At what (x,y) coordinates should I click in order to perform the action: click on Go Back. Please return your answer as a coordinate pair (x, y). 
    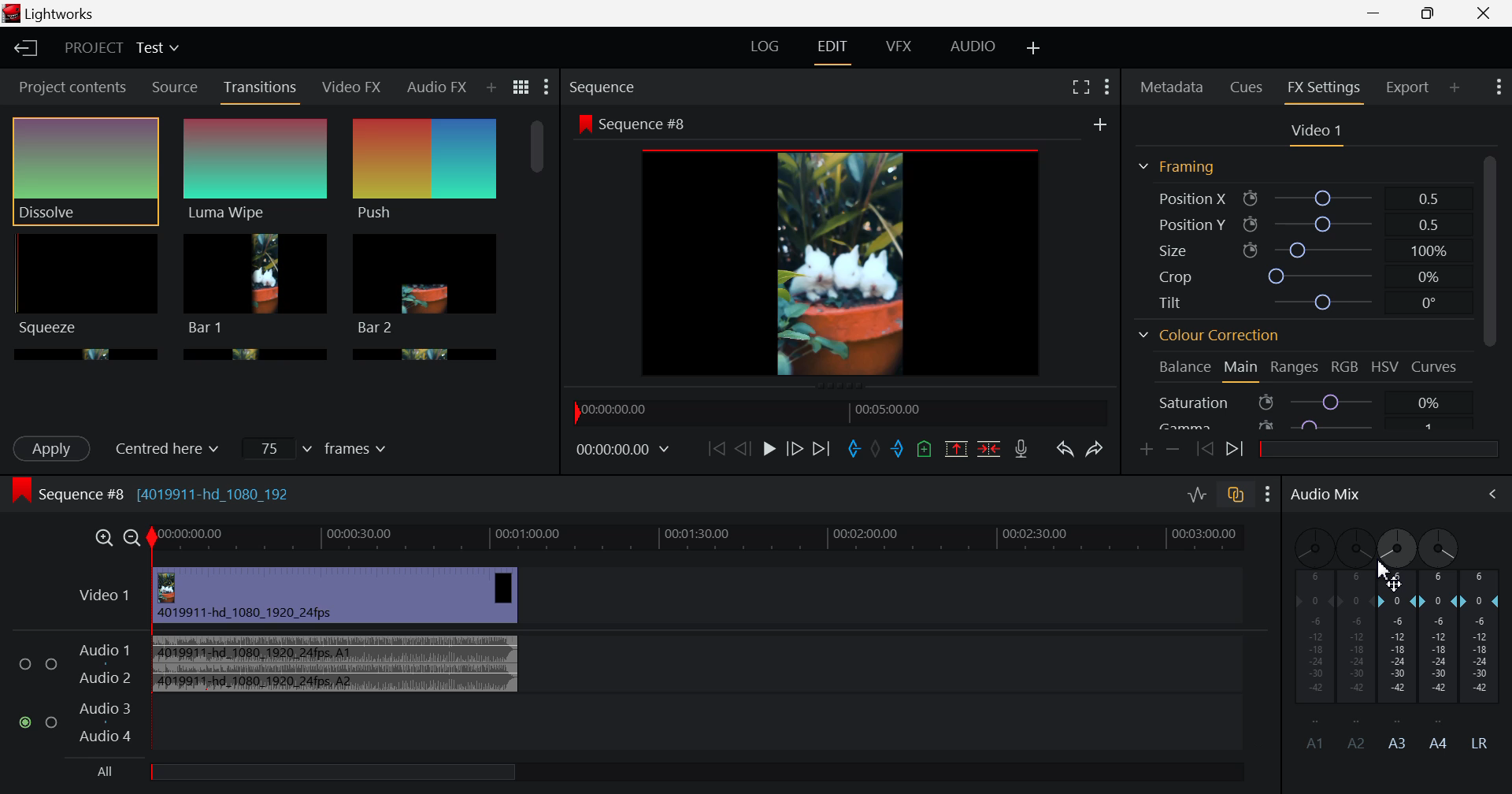
    Looking at the image, I should click on (741, 450).